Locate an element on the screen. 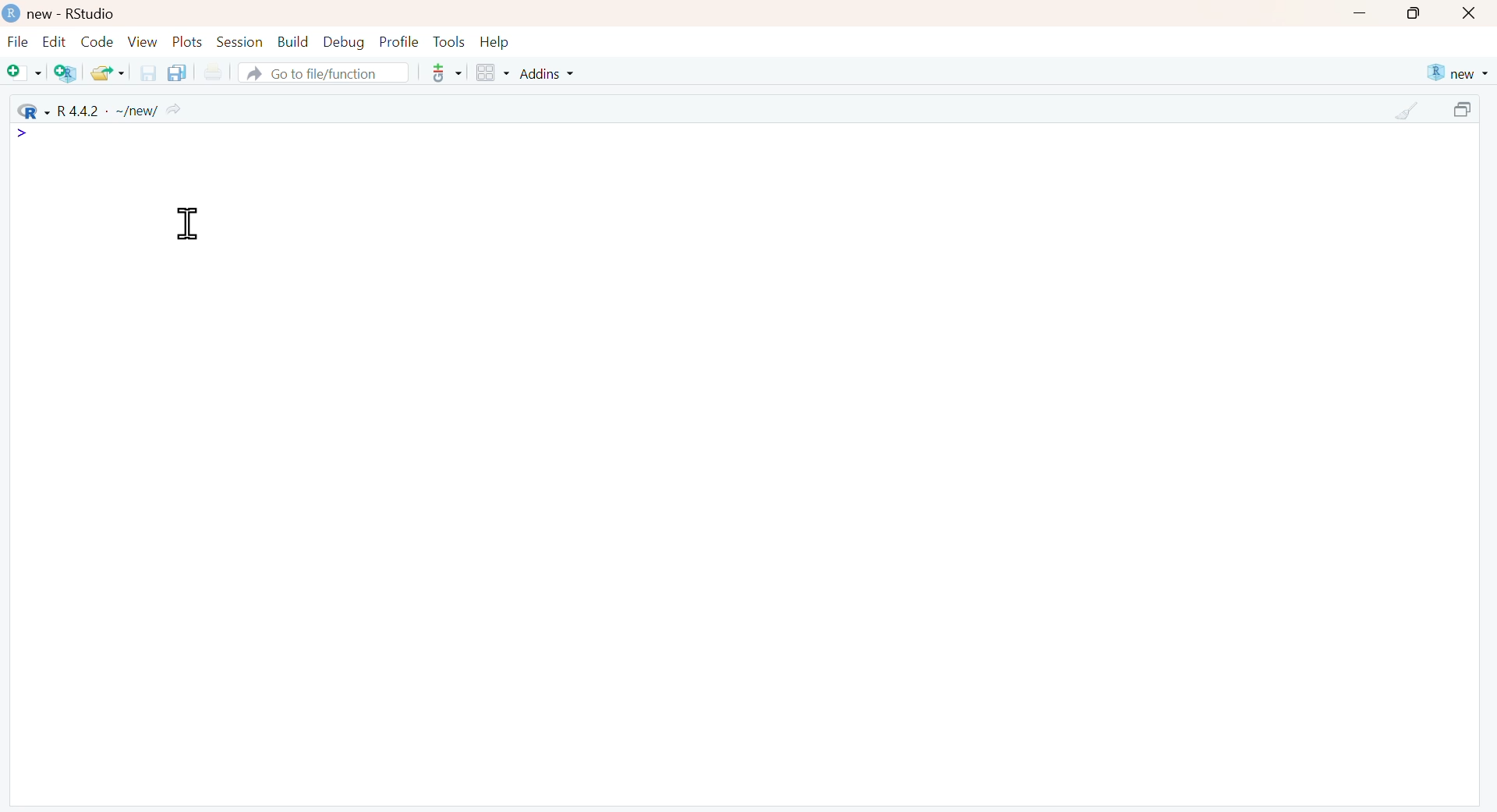 The height and width of the screenshot is (812, 1497). maximize is located at coordinates (1417, 13).